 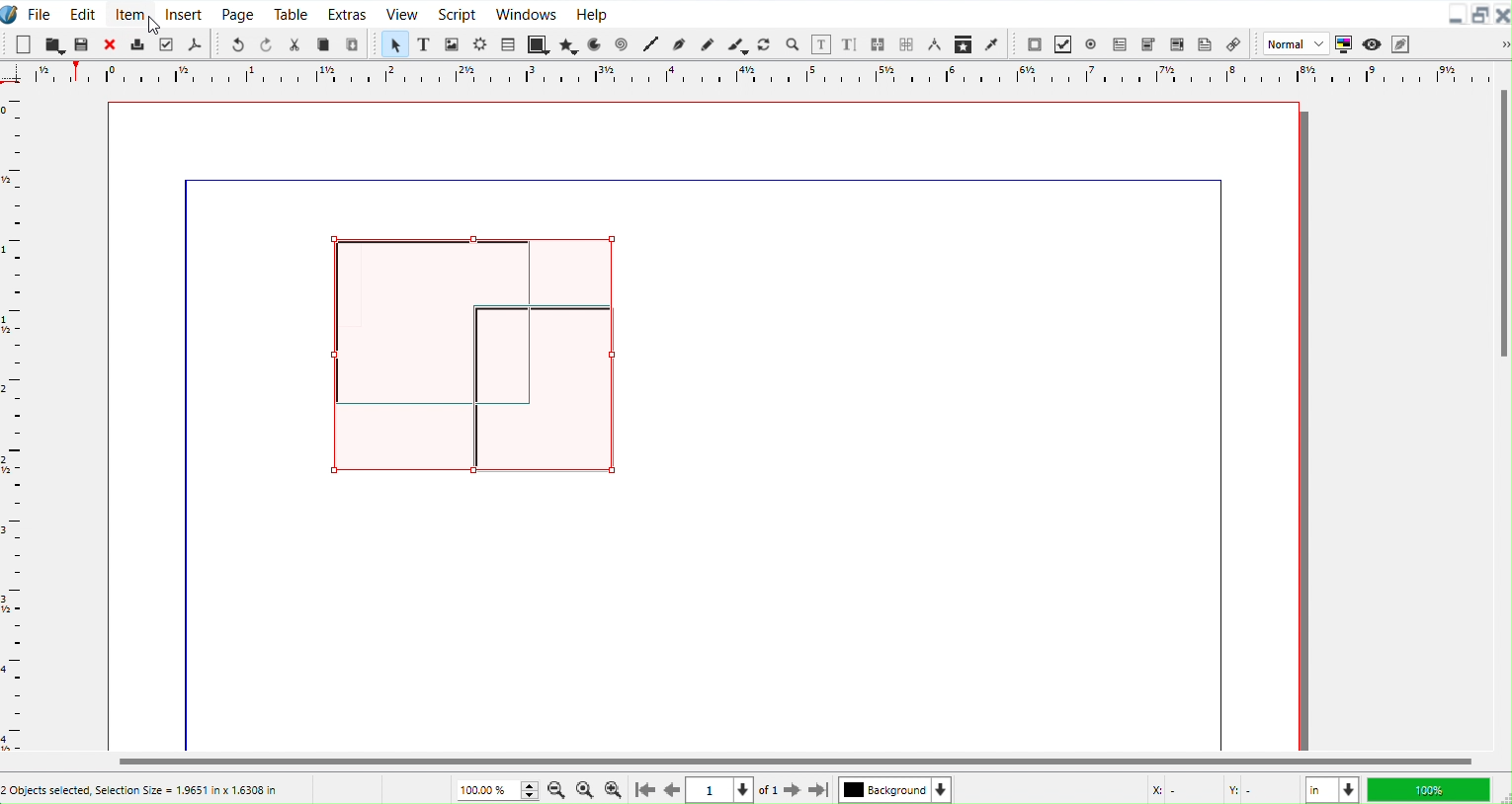 What do you see at coordinates (129, 12) in the screenshot?
I see `Item` at bounding box center [129, 12].